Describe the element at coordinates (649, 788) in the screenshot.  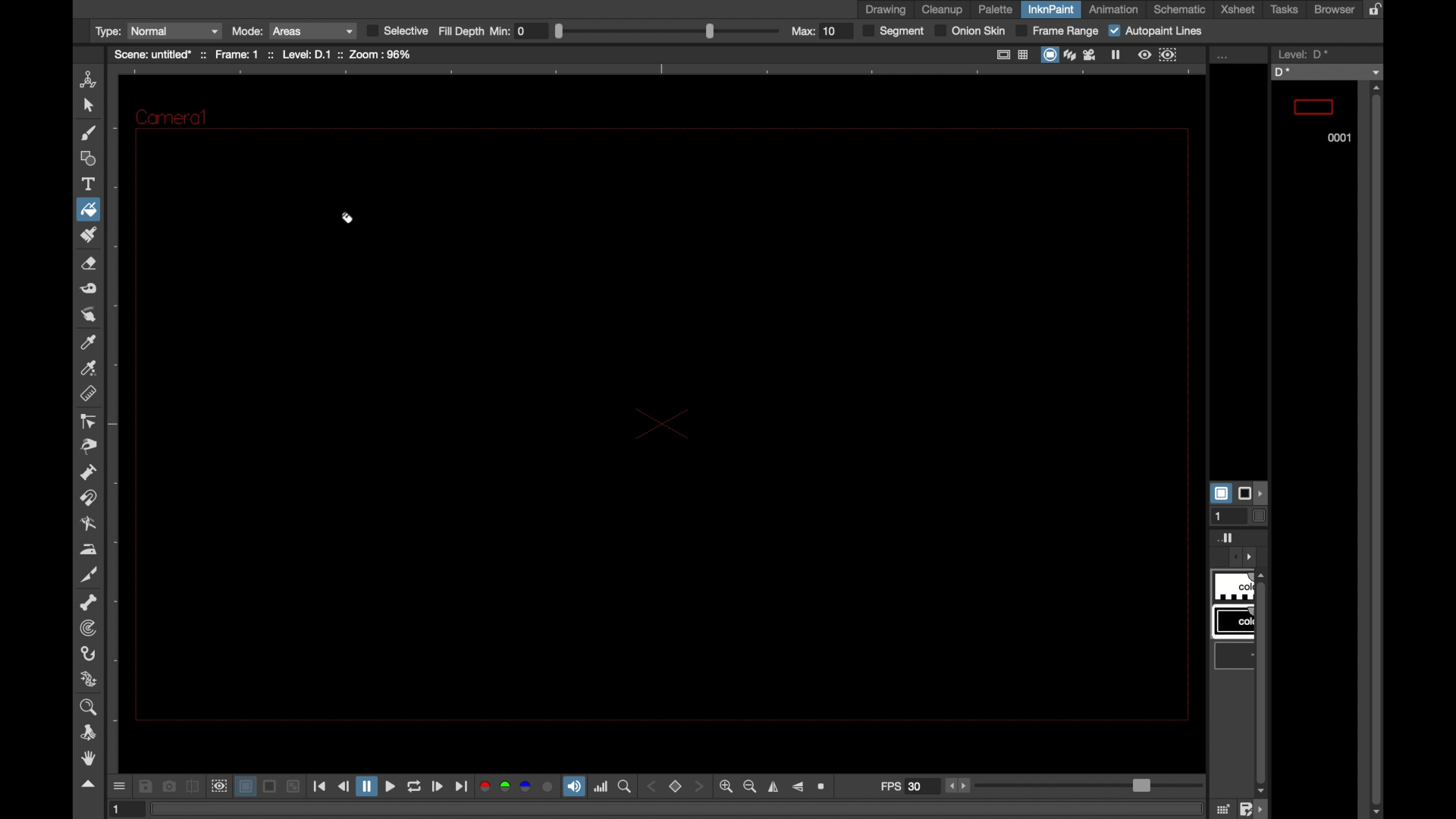
I see `back` at that location.